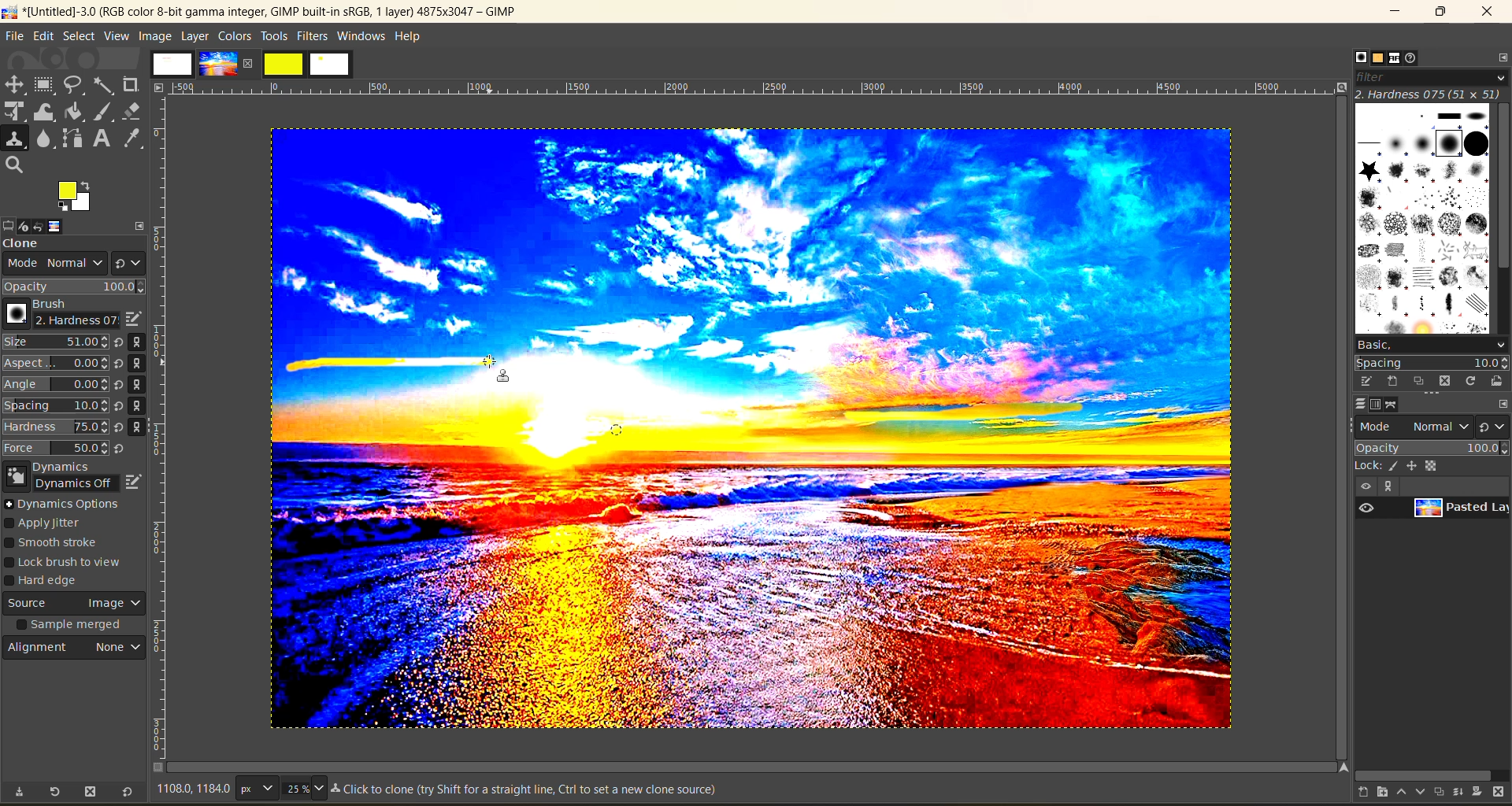 The height and width of the screenshot is (806, 1512). I want to click on position, so click(1414, 465).